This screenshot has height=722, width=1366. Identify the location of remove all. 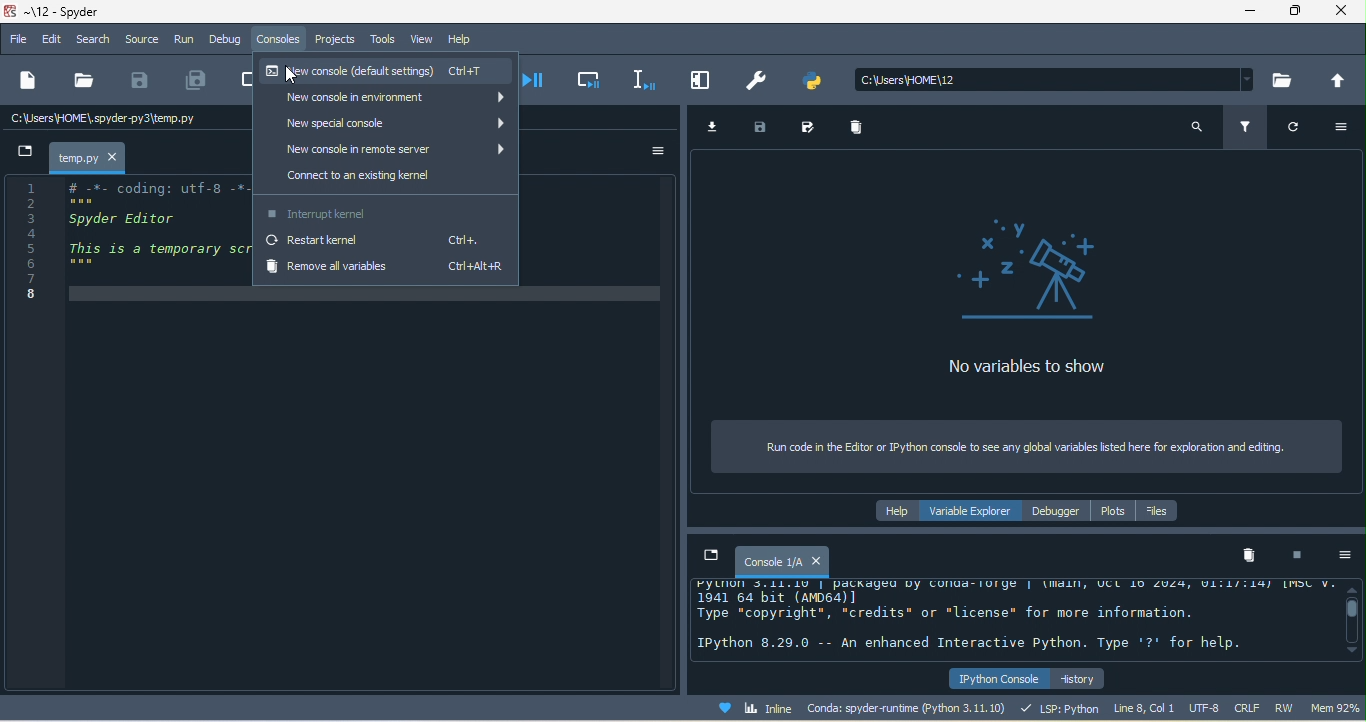
(1251, 558).